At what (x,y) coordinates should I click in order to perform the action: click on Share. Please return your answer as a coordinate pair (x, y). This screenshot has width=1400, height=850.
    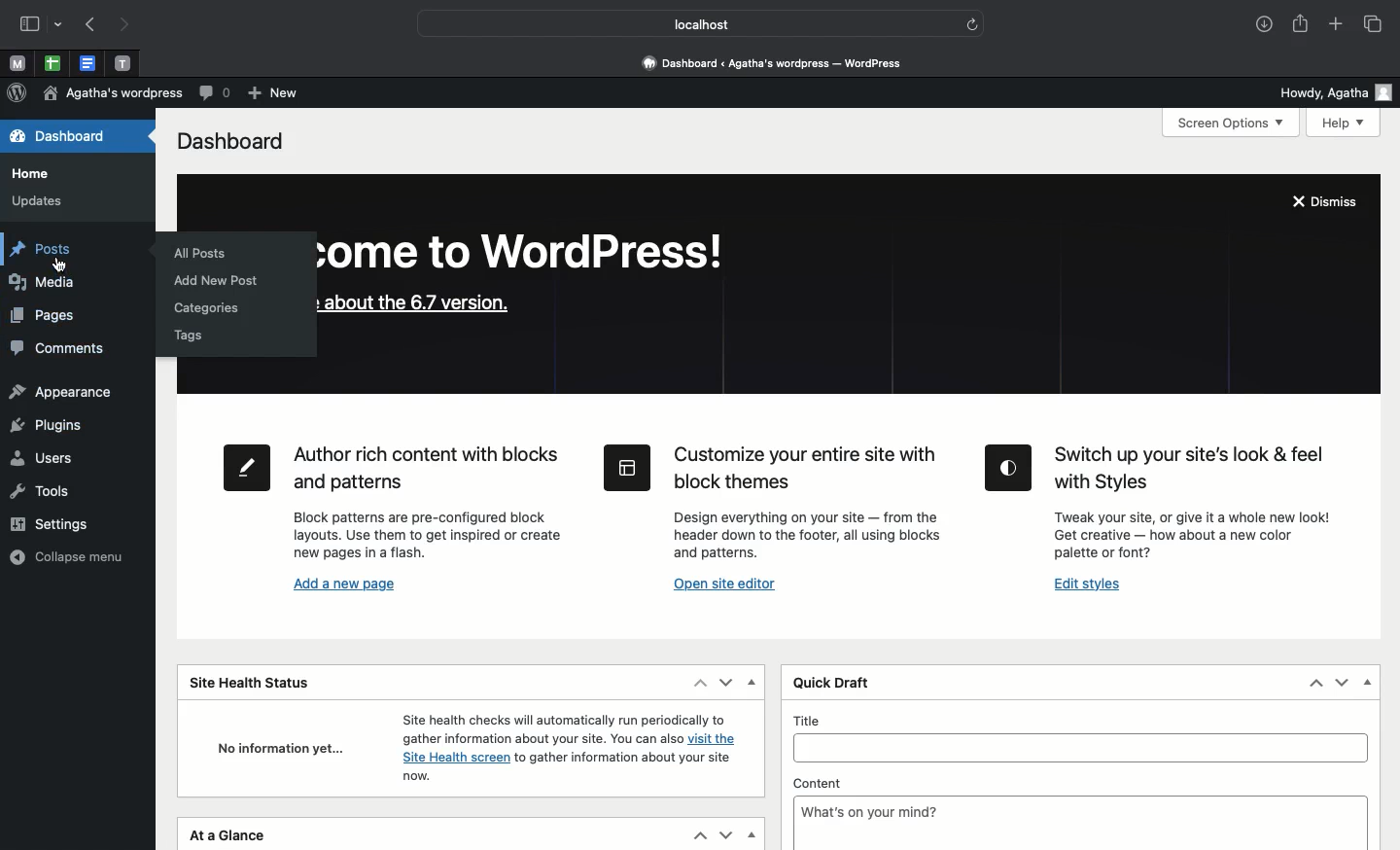
    Looking at the image, I should click on (1300, 25).